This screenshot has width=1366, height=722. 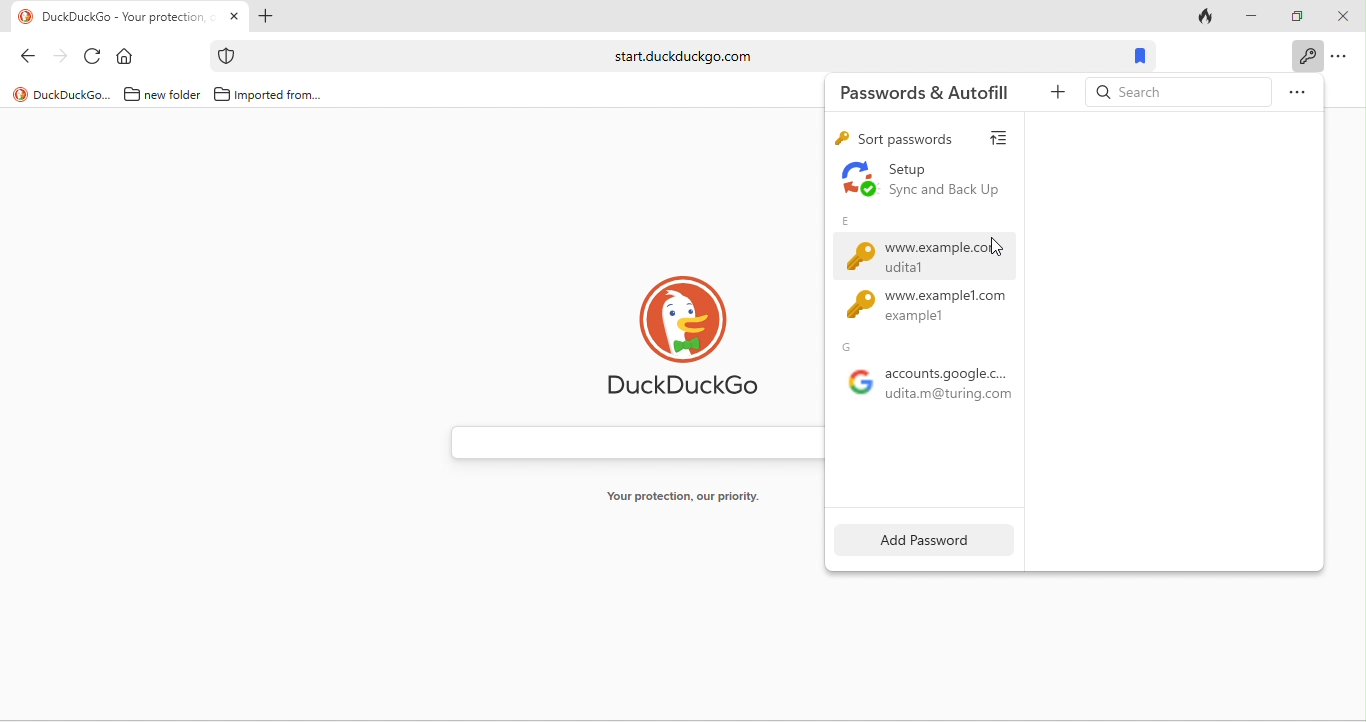 I want to click on imported form, so click(x=270, y=95).